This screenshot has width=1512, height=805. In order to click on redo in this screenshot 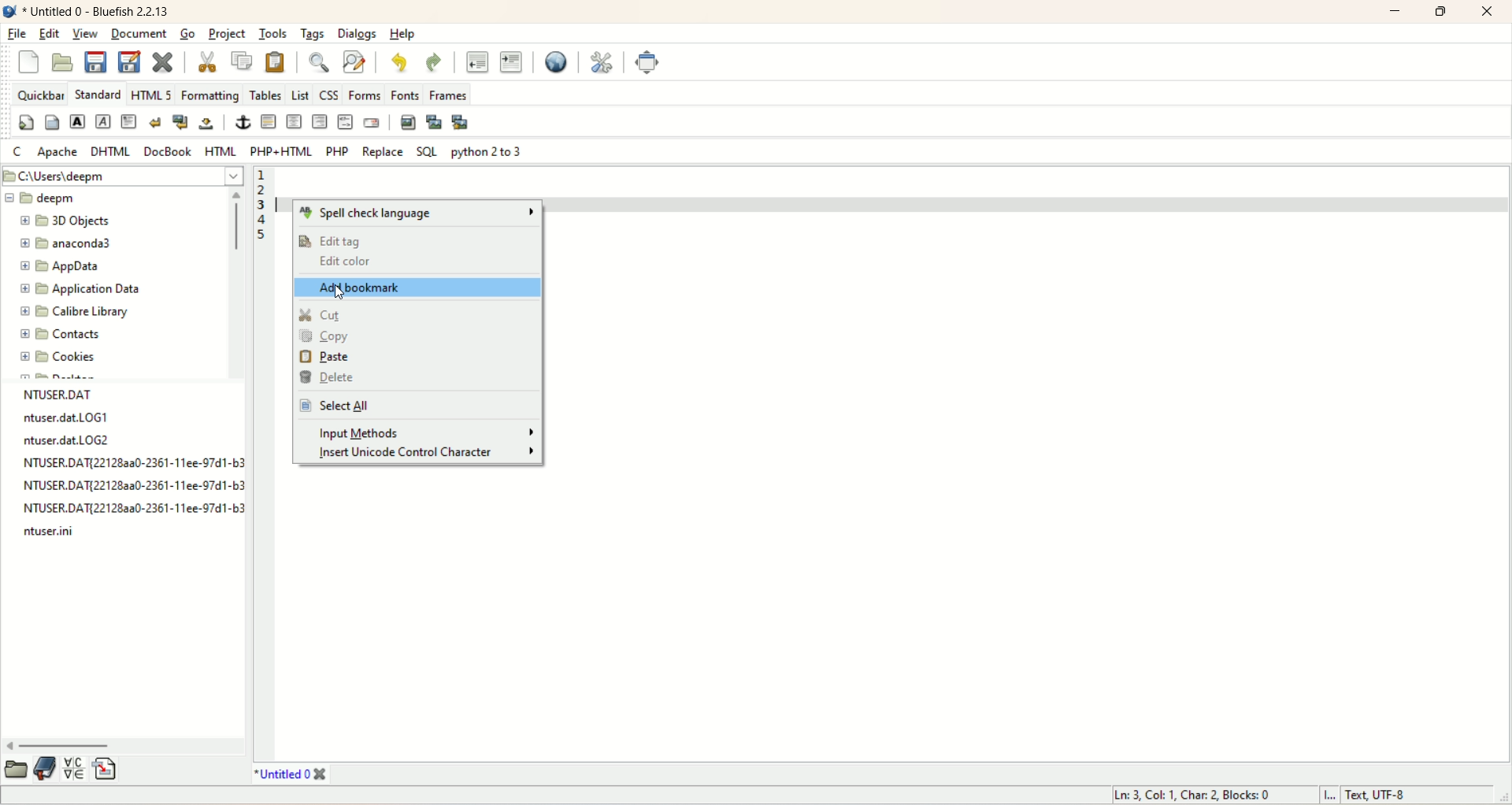, I will do `click(431, 60)`.